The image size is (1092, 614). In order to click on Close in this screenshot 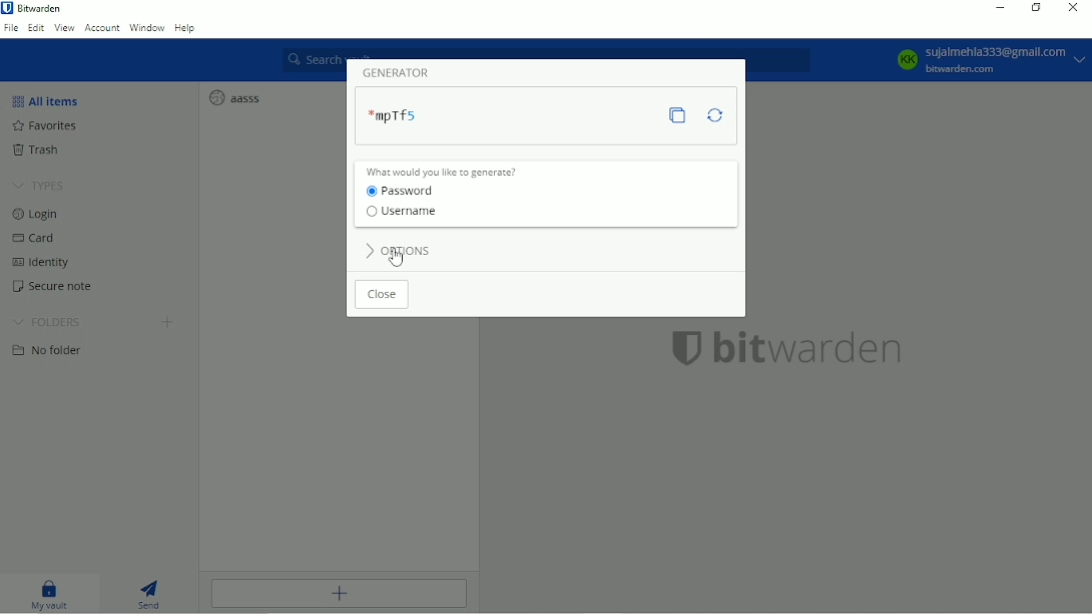, I will do `click(382, 294)`.